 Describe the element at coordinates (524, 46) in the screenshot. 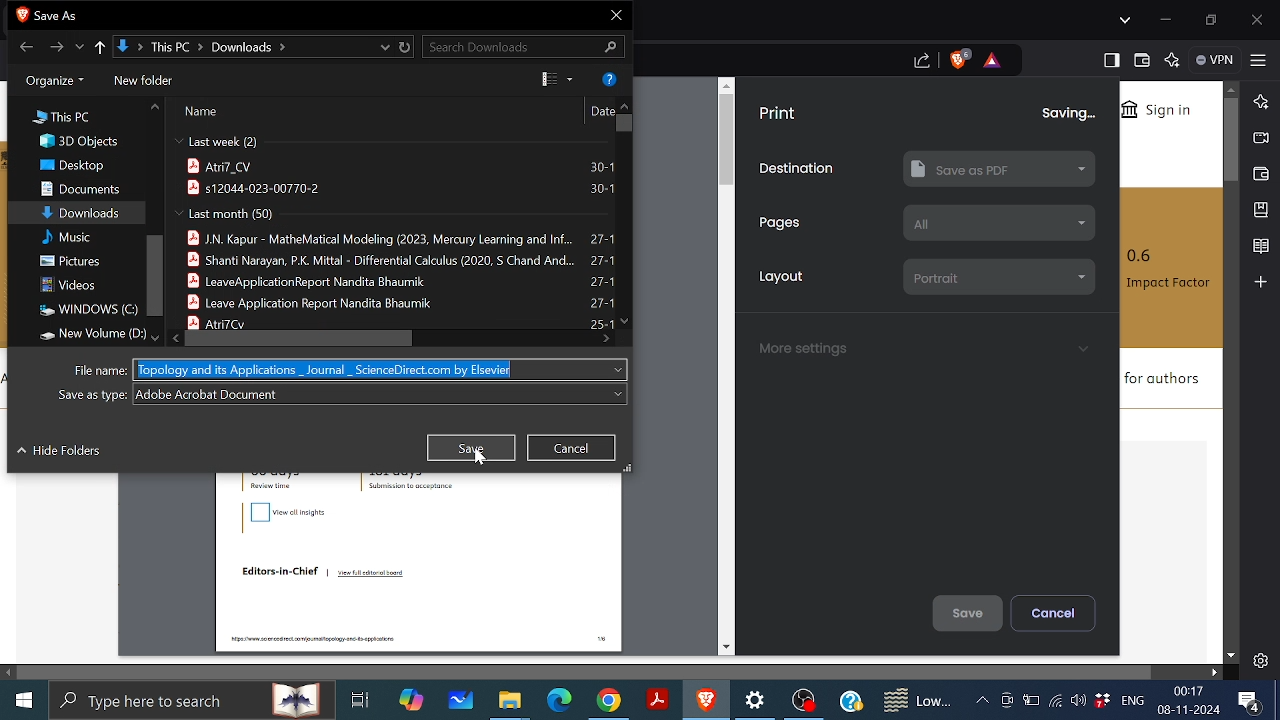

I see `Search downloads` at that location.